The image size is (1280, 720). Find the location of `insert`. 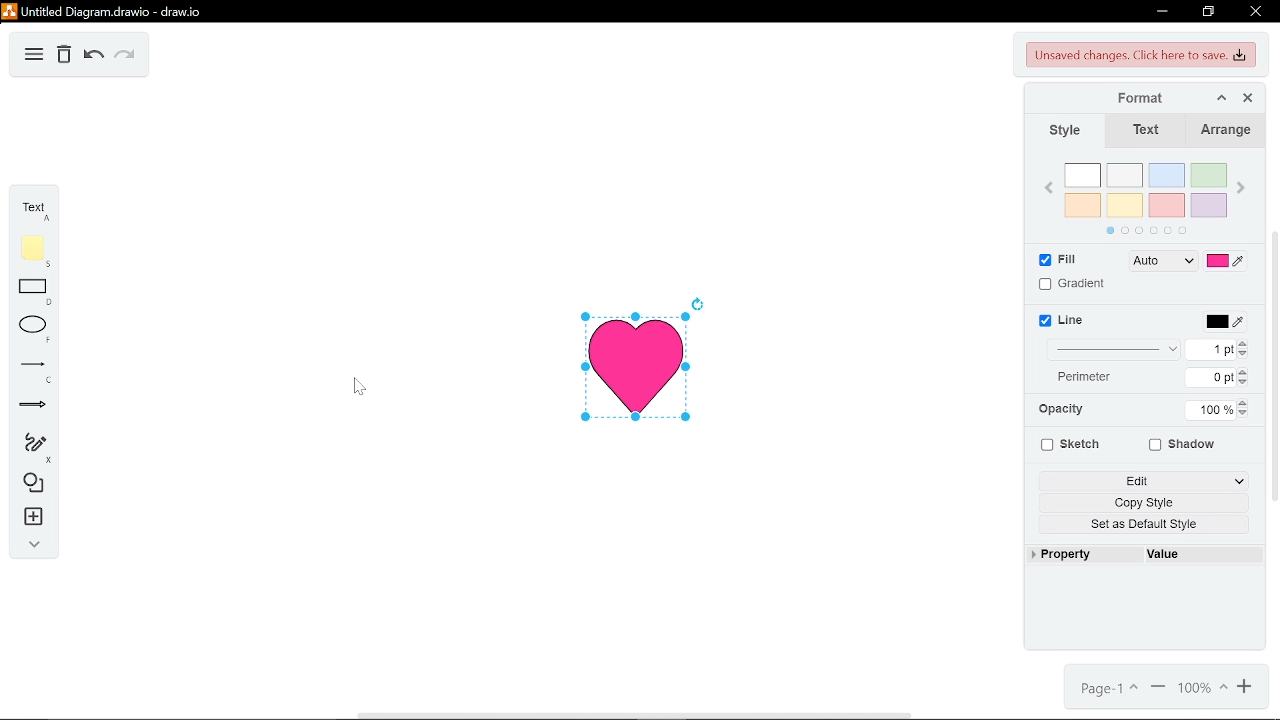

insert is located at coordinates (31, 516).